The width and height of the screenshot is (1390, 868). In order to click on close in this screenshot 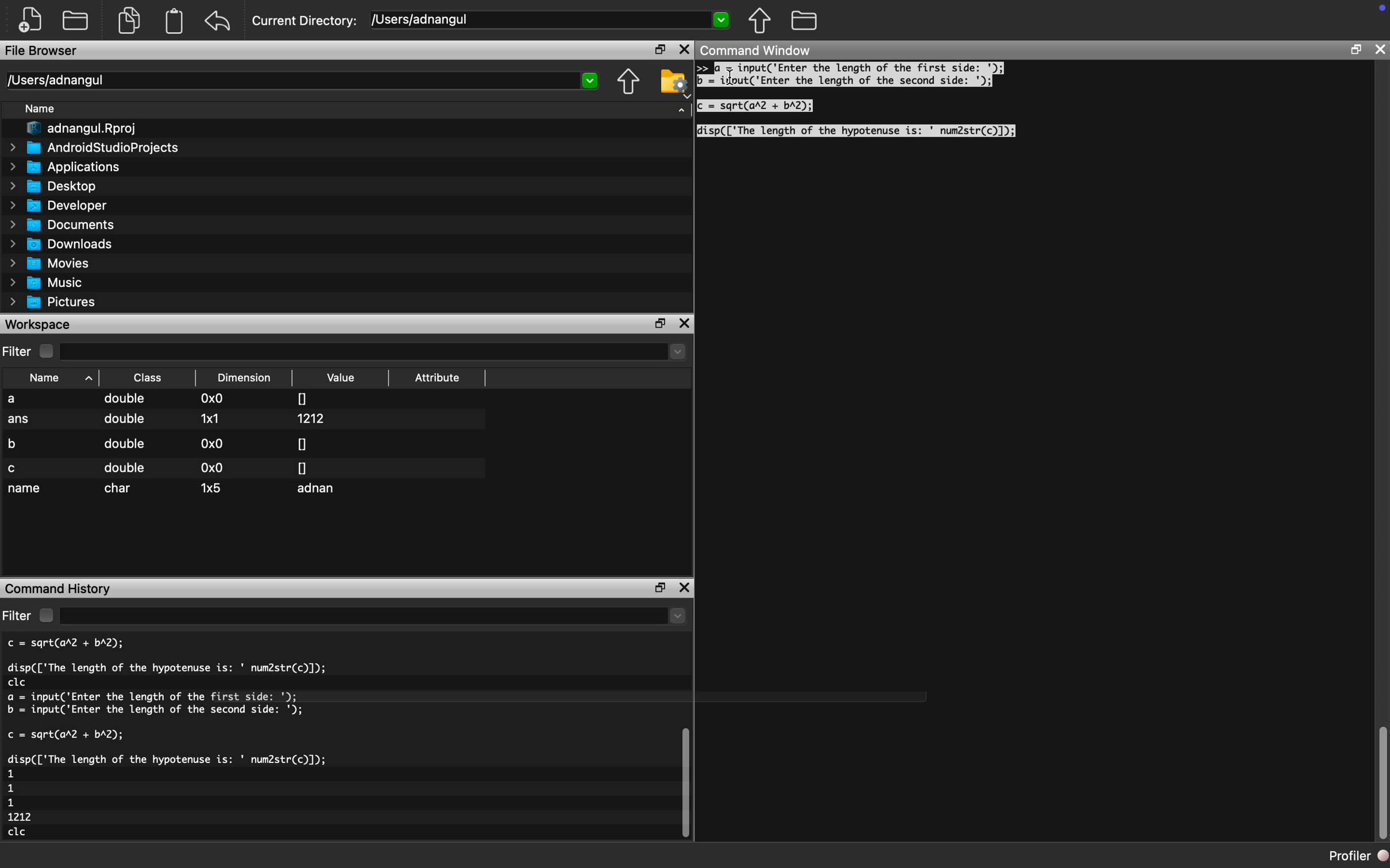, I will do `click(686, 590)`.